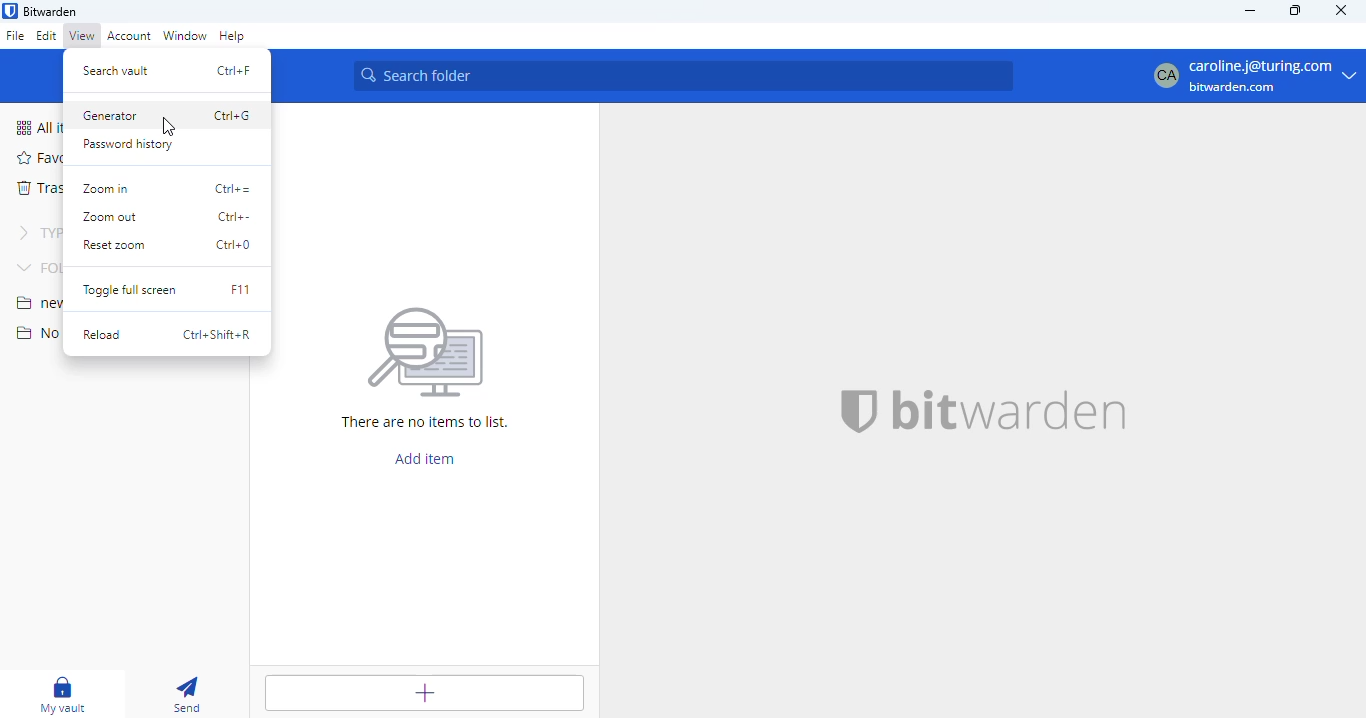 The width and height of the screenshot is (1366, 718). What do you see at coordinates (1252, 10) in the screenshot?
I see `minimize` at bounding box center [1252, 10].